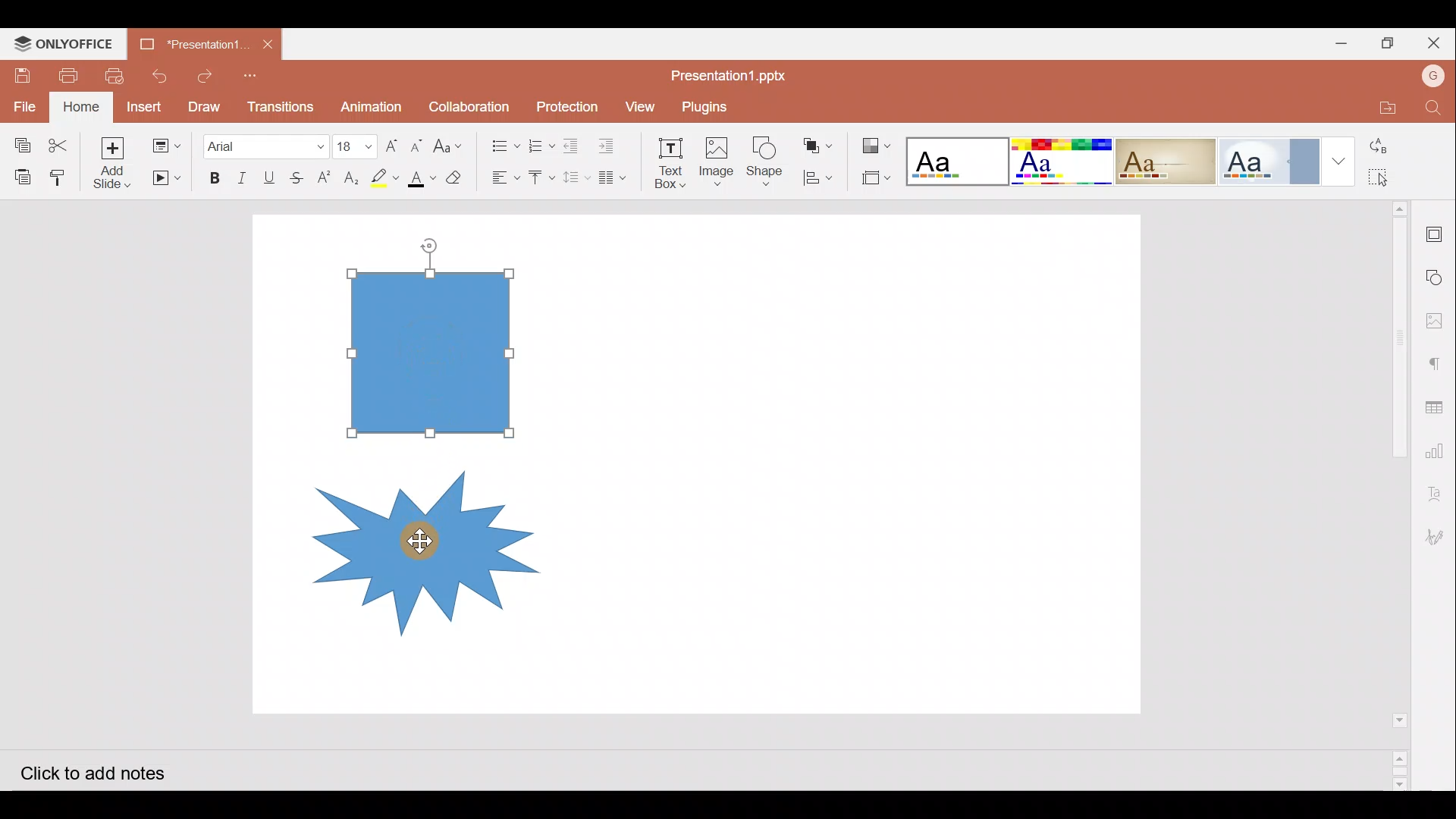  What do you see at coordinates (350, 140) in the screenshot?
I see `Font size` at bounding box center [350, 140].